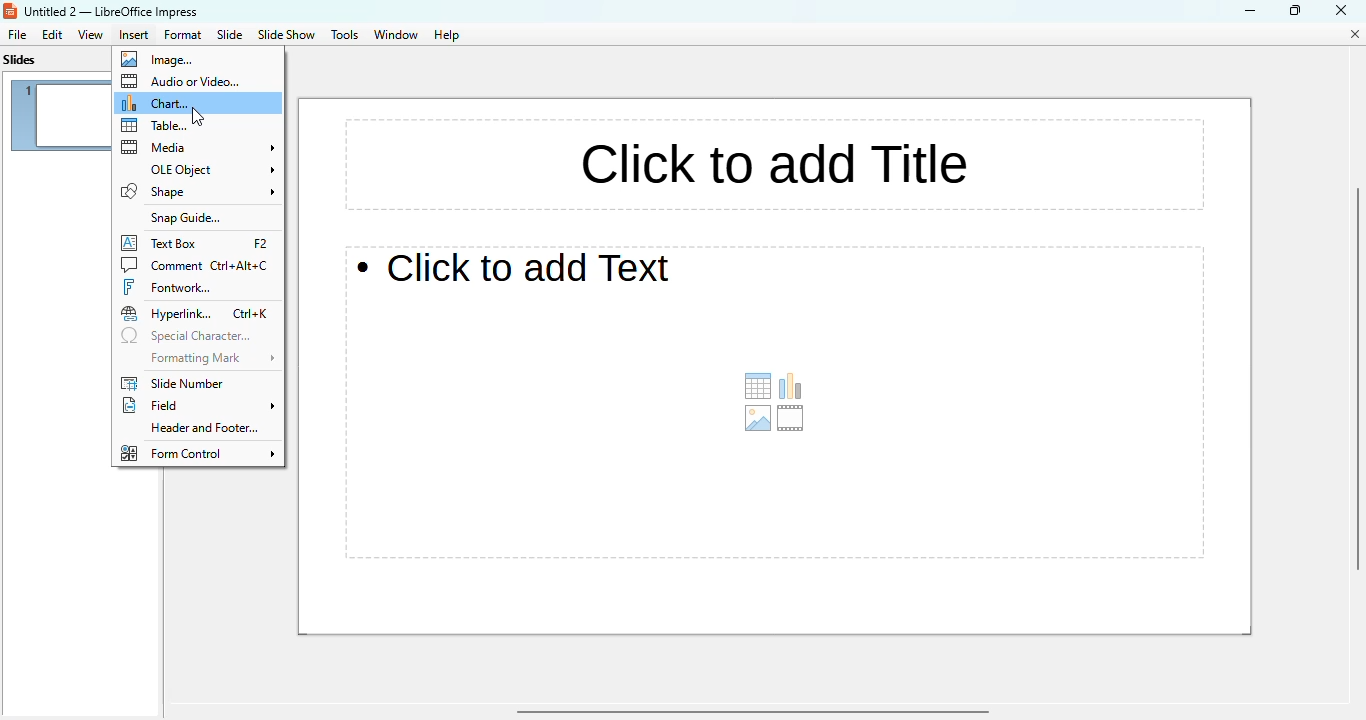 The width and height of the screenshot is (1366, 720). What do you see at coordinates (161, 242) in the screenshot?
I see `text box` at bounding box center [161, 242].